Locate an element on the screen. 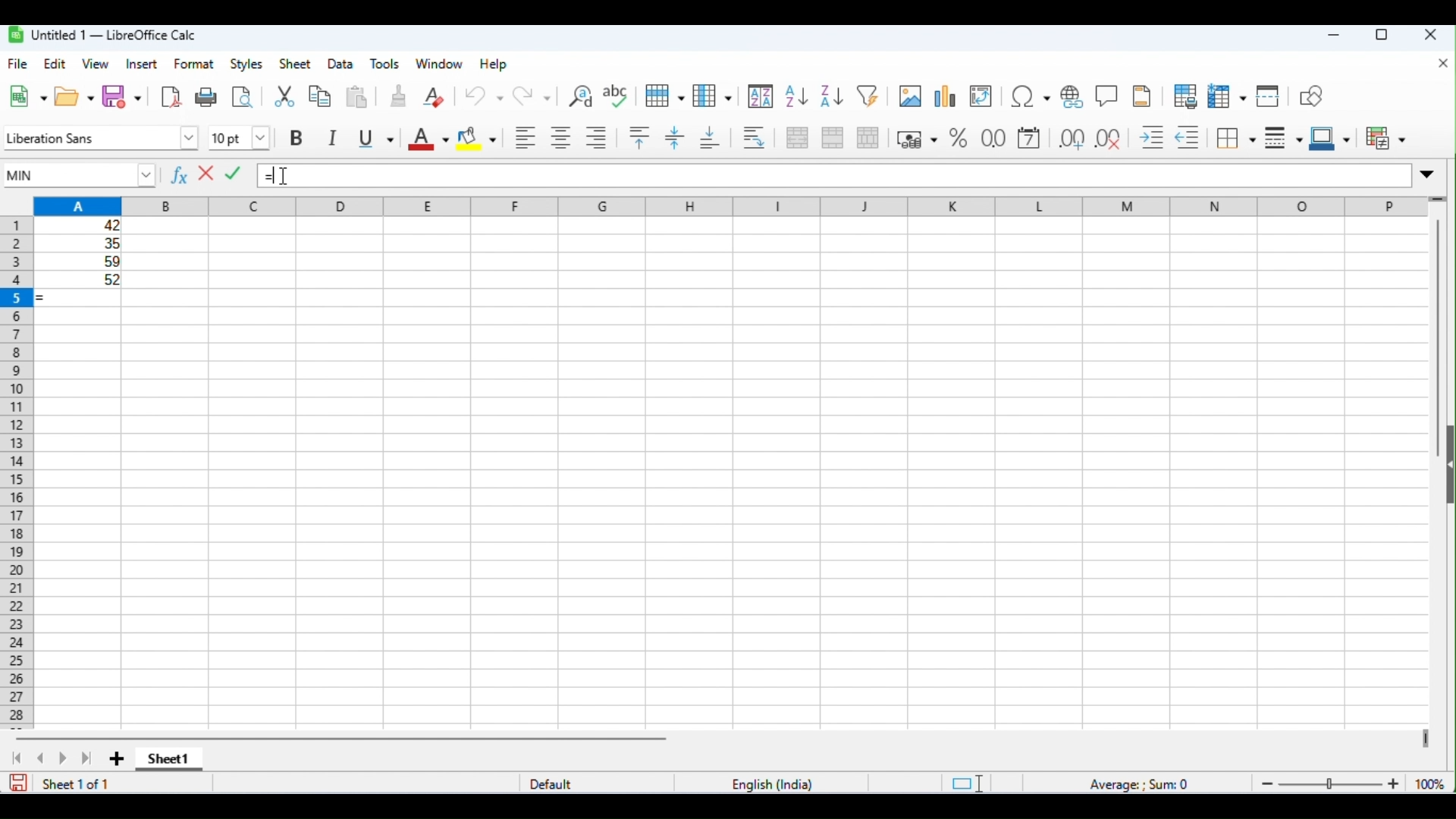  language is located at coordinates (773, 784).